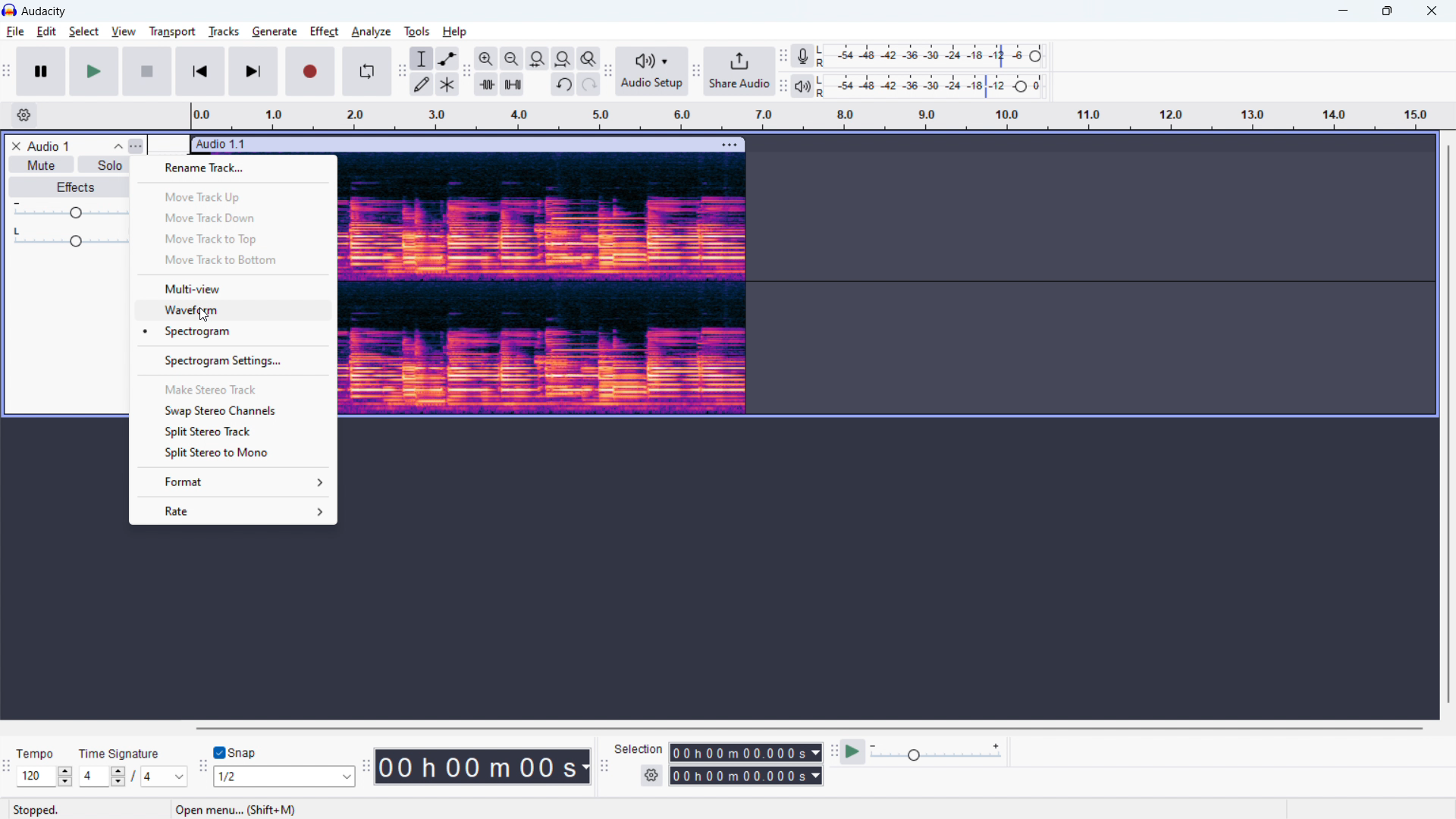  I want to click on record, so click(309, 72).